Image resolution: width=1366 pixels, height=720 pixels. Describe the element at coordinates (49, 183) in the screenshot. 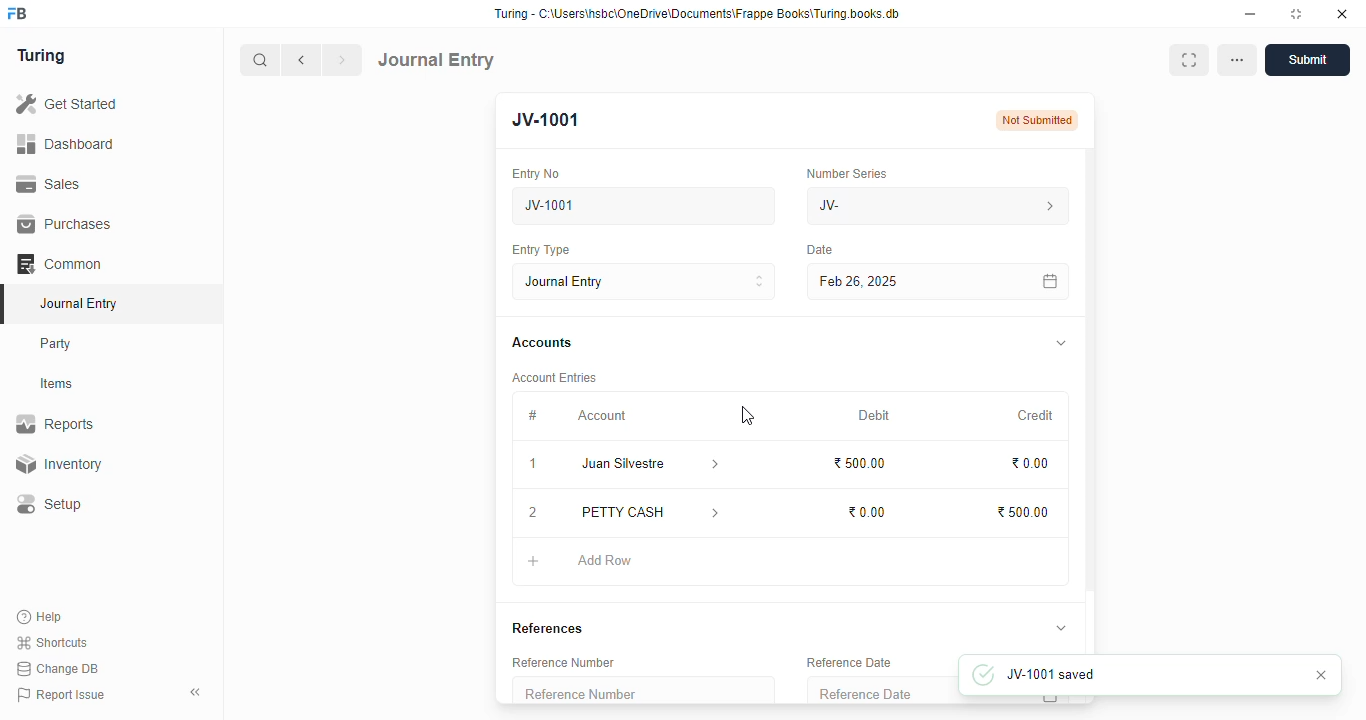

I see `sales` at that location.